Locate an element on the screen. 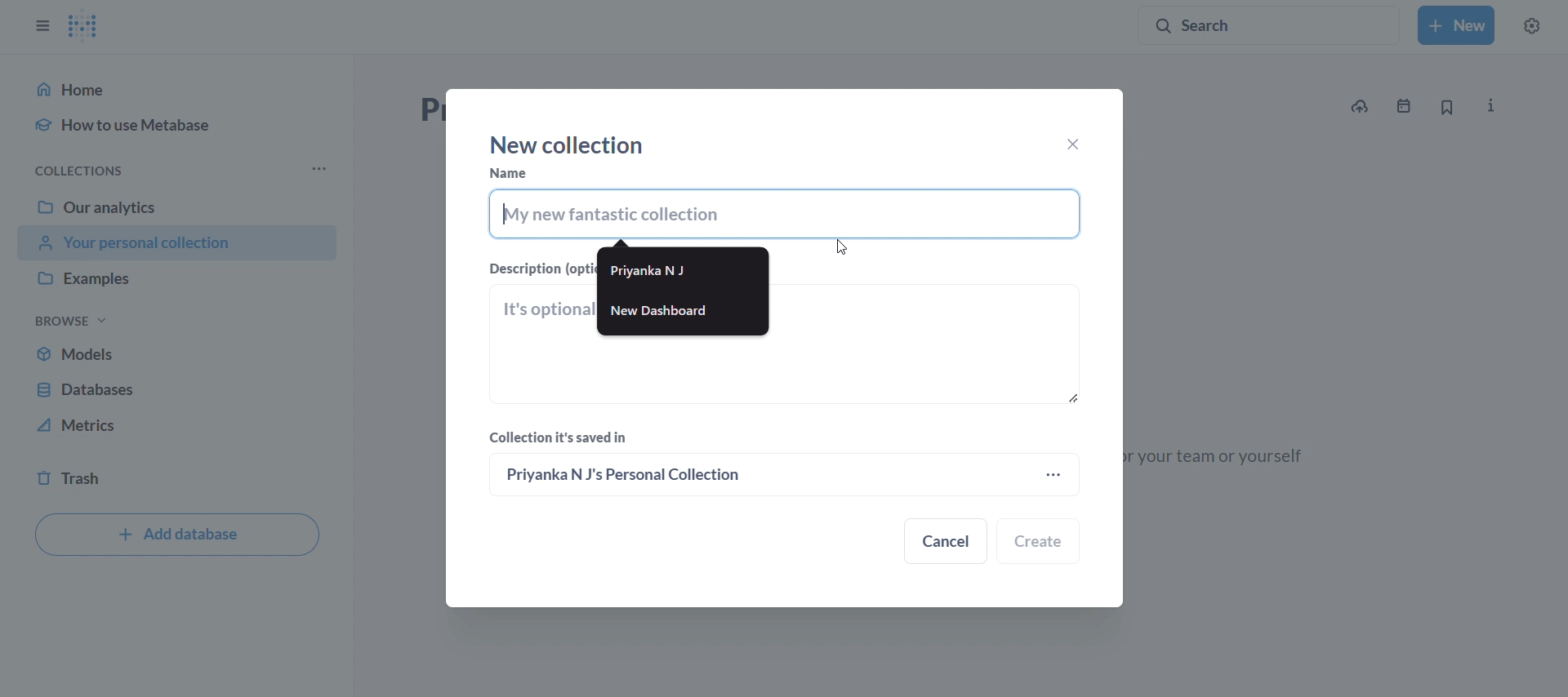 The image size is (1568, 697). examples is located at coordinates (176, 279).